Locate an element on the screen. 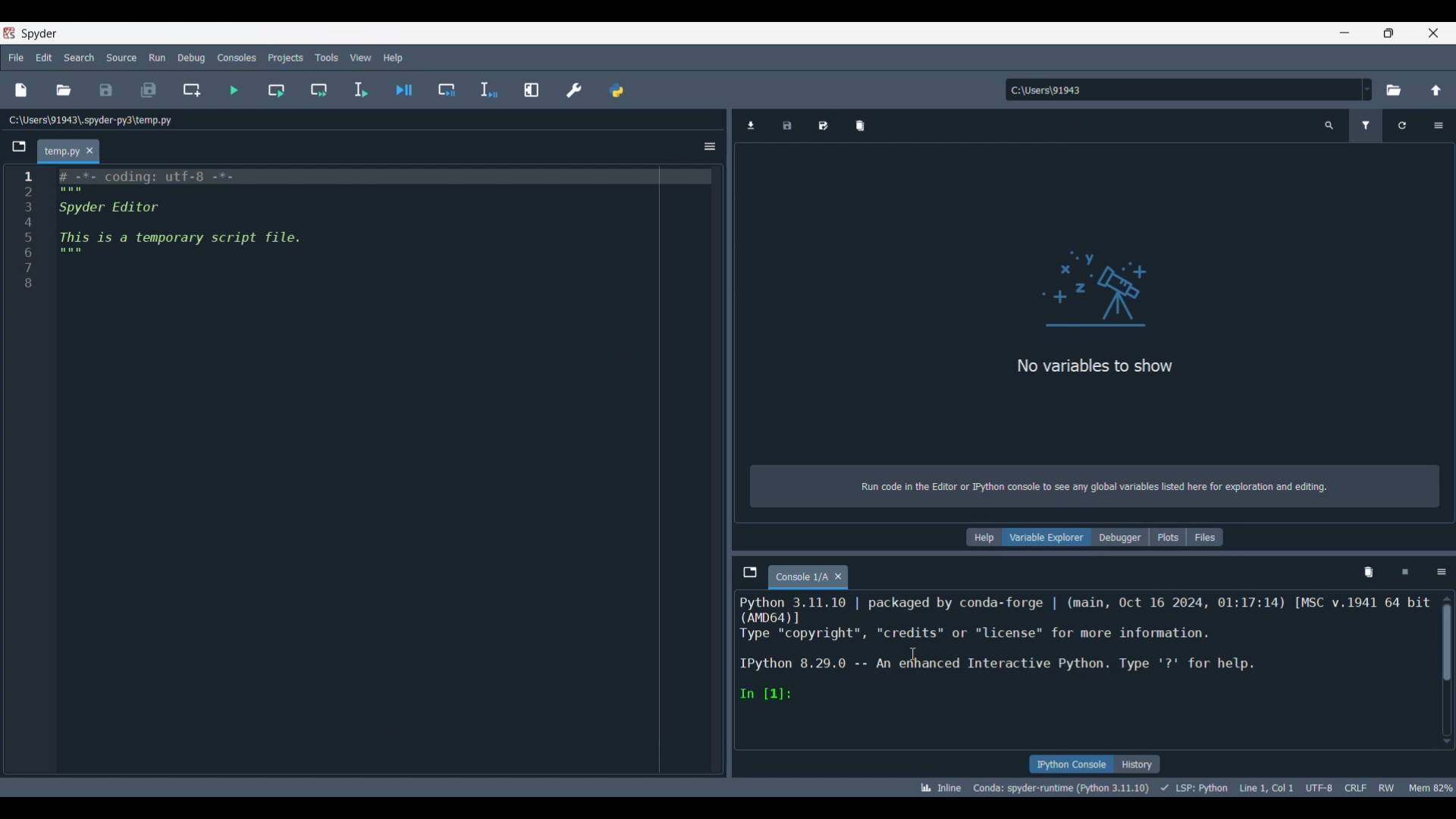 The image size is (1456, 819). scrollbar is located at coordinates (1445, 642).